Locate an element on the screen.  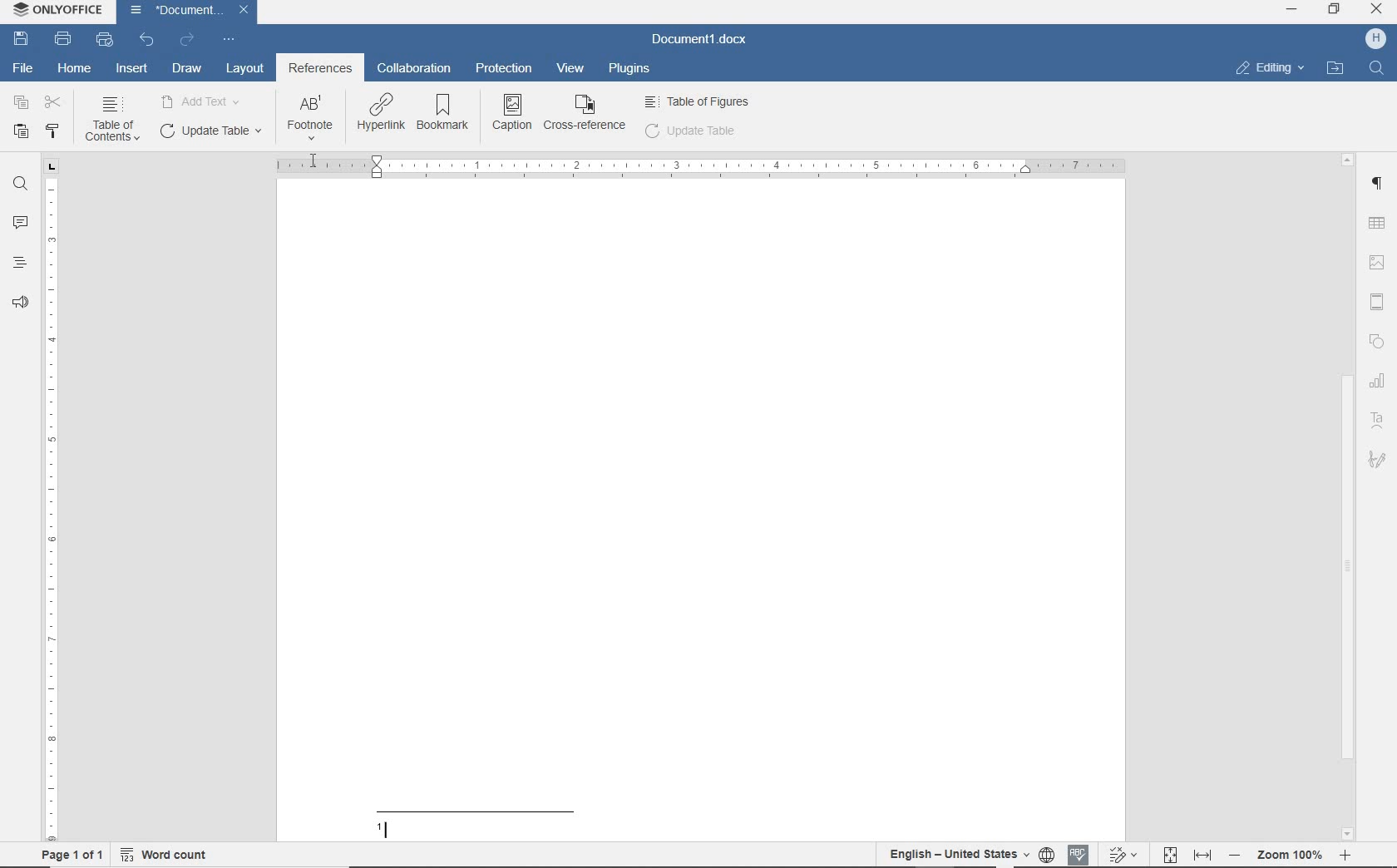
HEADER & FOOTERS is located at coordinates (1380, 299).